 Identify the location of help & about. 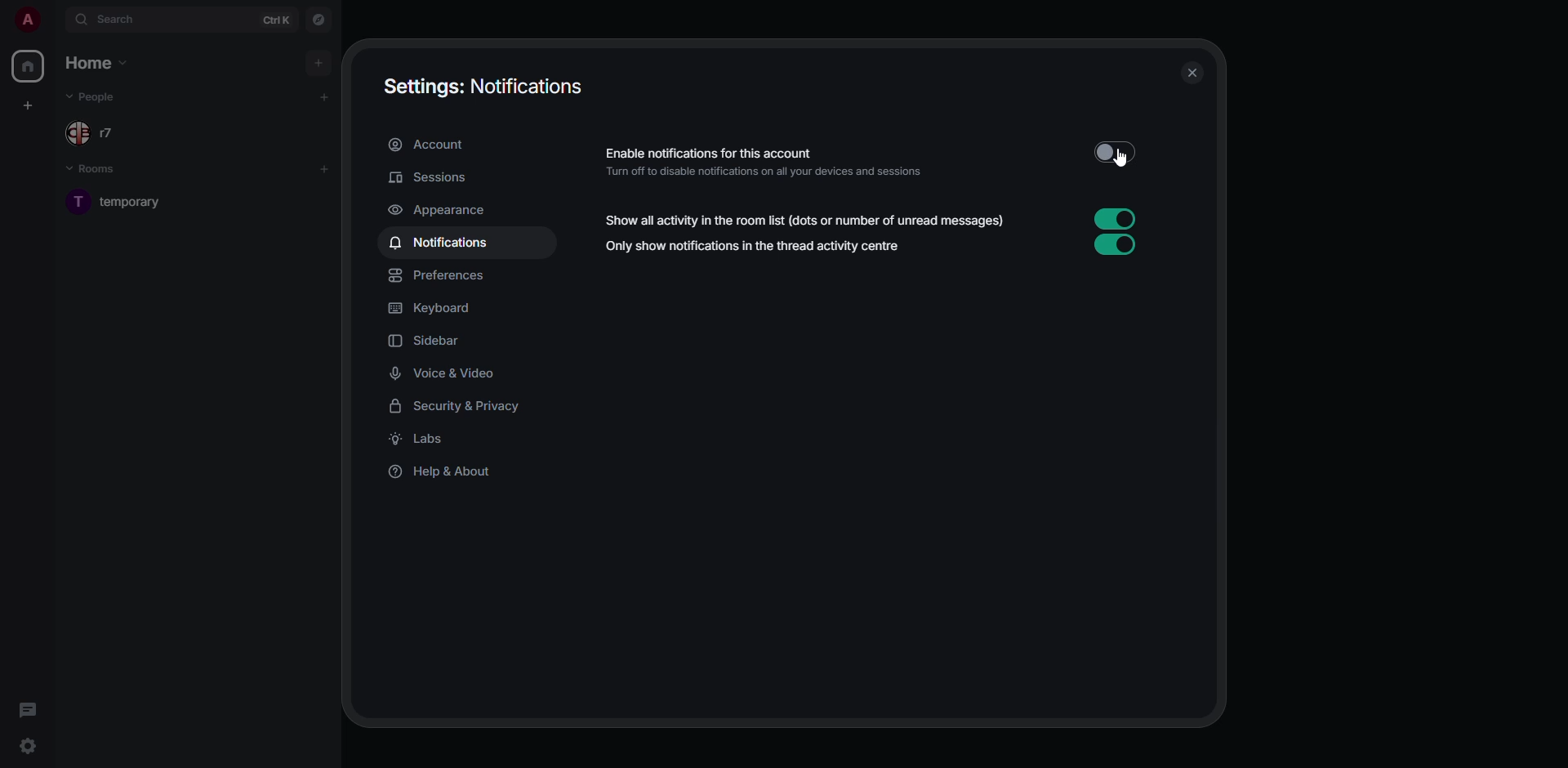
(446, 474).